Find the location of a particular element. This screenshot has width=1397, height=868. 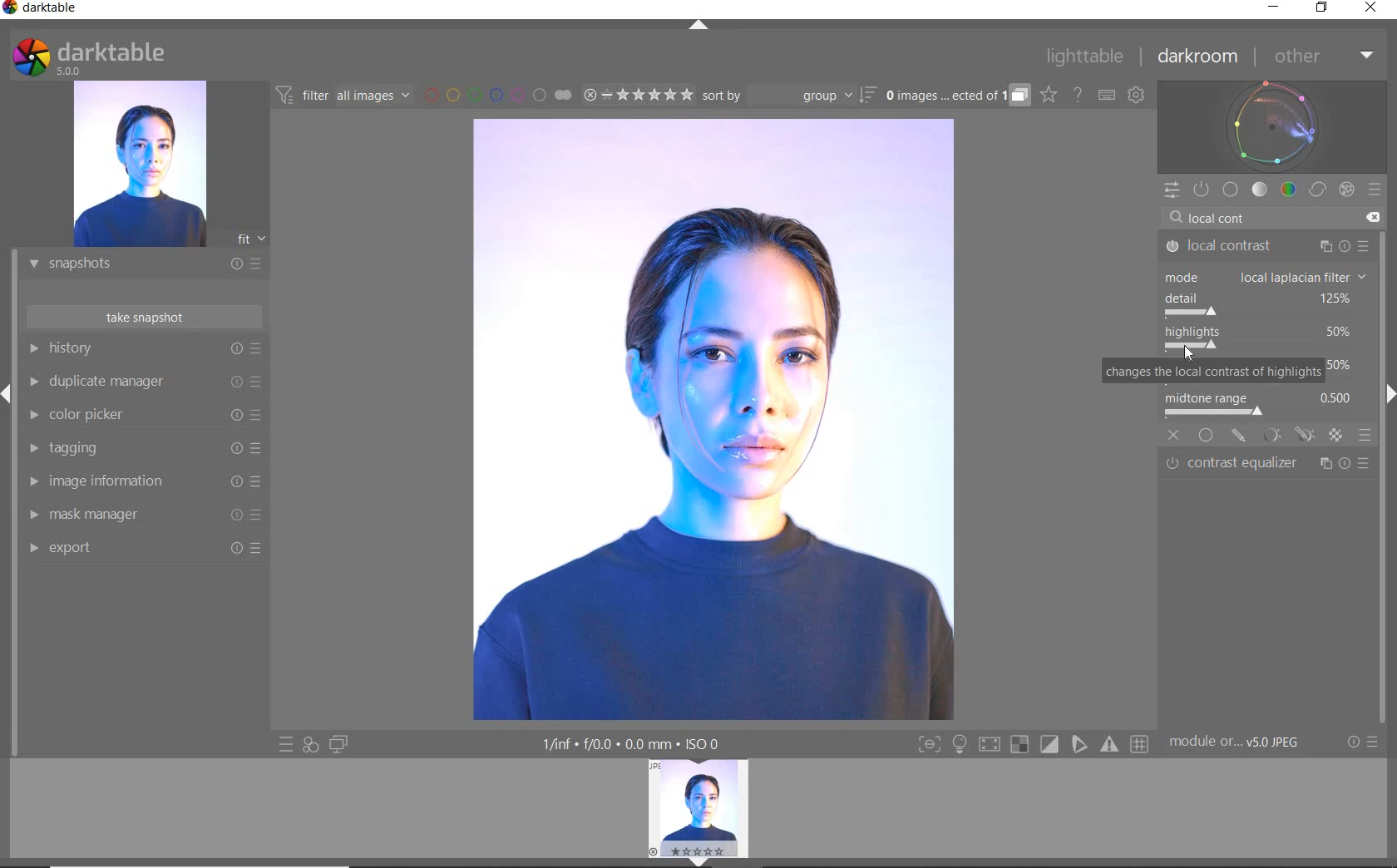

off is located at coordinates (1174, 433).